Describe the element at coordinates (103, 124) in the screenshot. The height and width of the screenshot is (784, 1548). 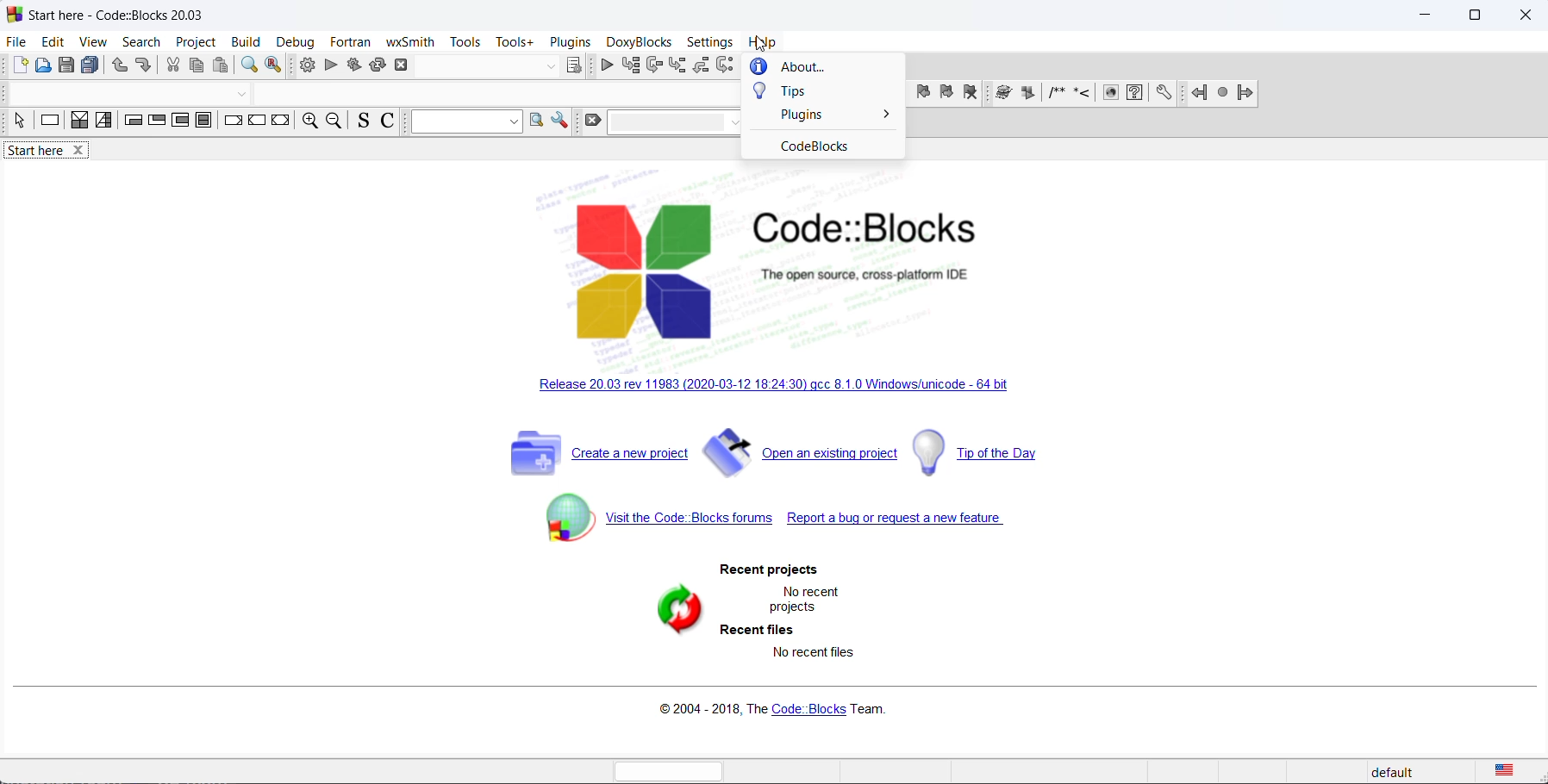
I see `selection ` at that location.